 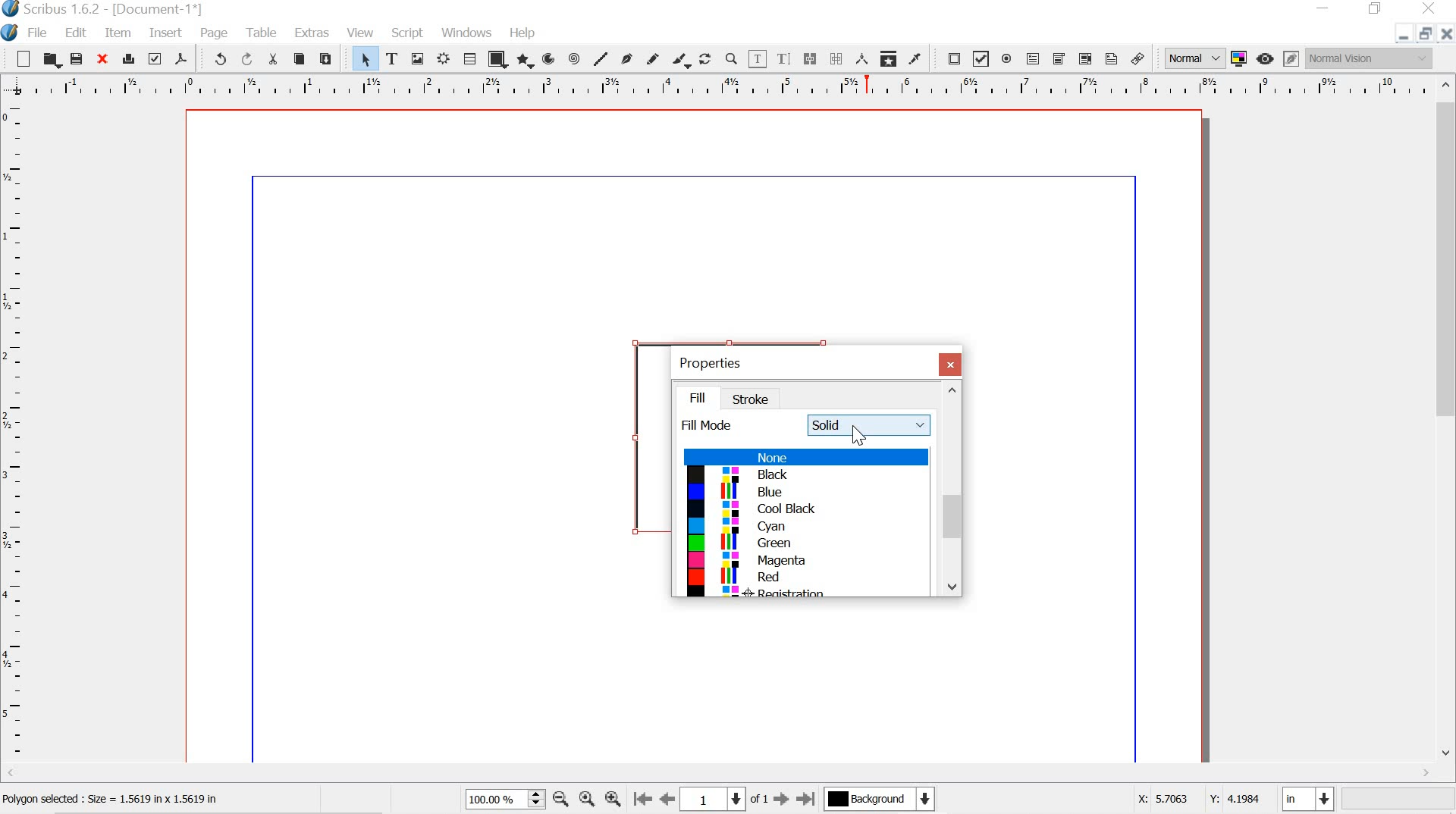 I want to click on view, so click(x=362, y=31).